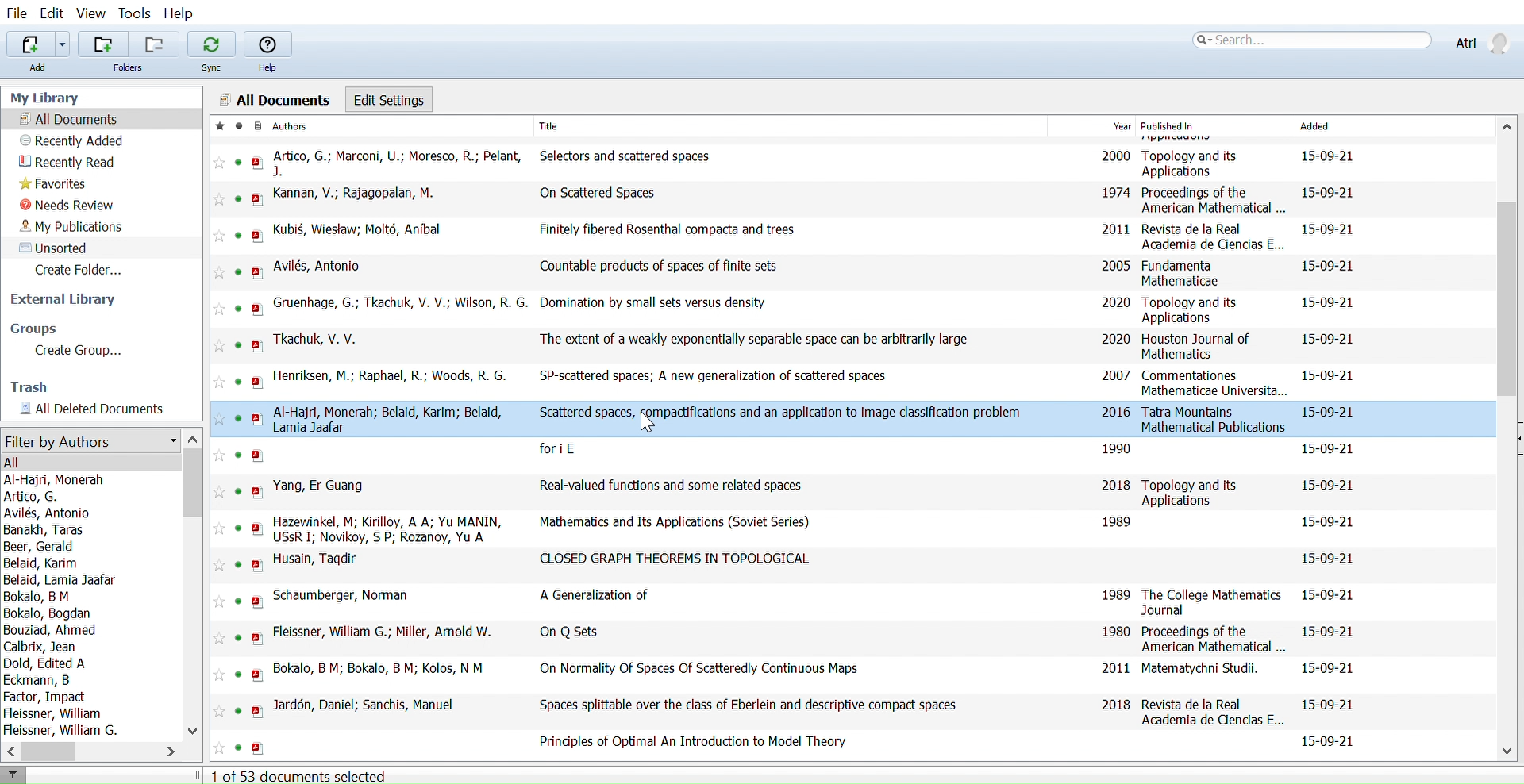  What do you see at coordinates (1480, 41) in the screenshot?
I see `Profile` at bounding box center [1480, 41].